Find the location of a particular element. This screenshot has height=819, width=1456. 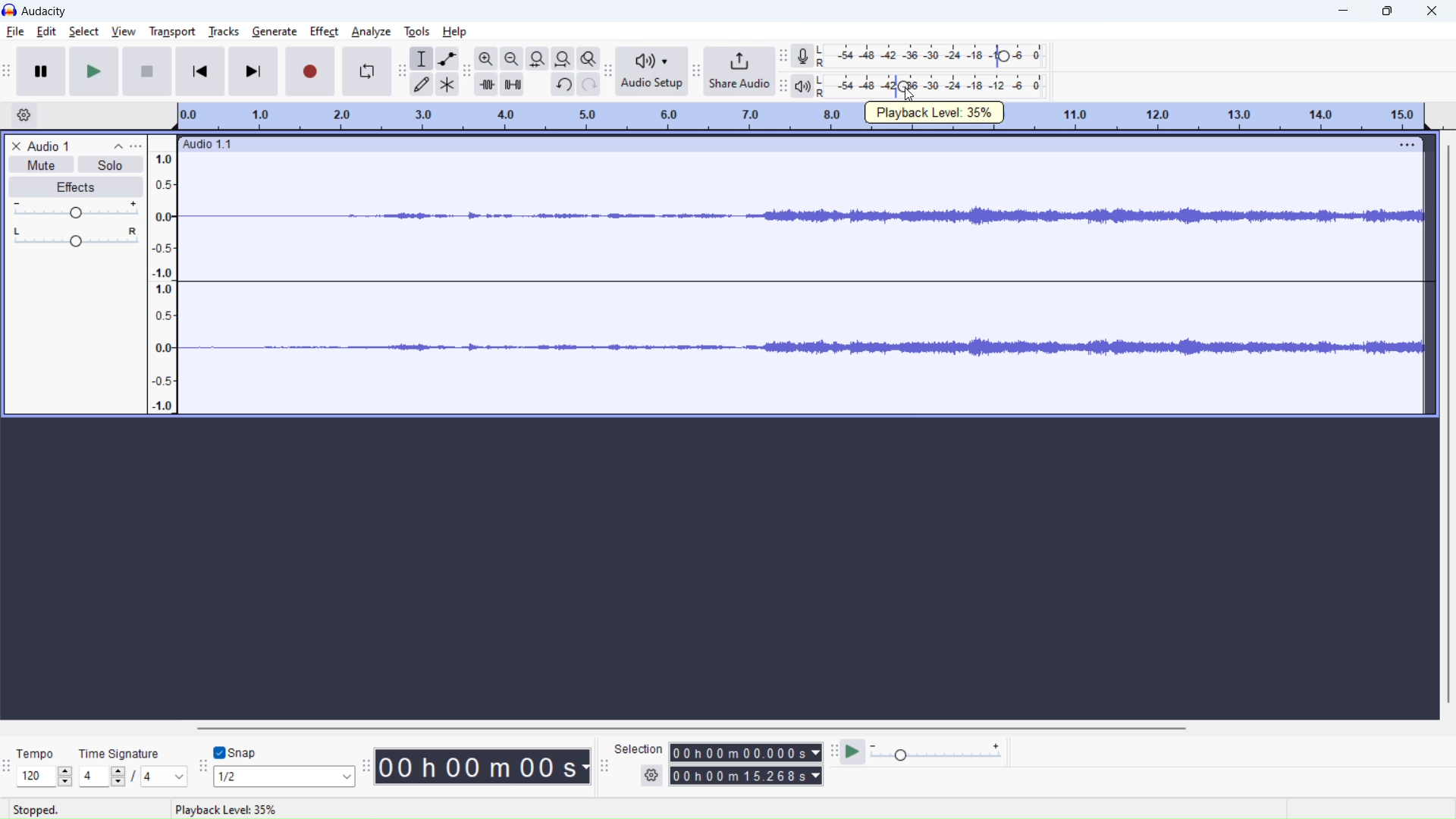

waveform is located at coordinates (802, 217).